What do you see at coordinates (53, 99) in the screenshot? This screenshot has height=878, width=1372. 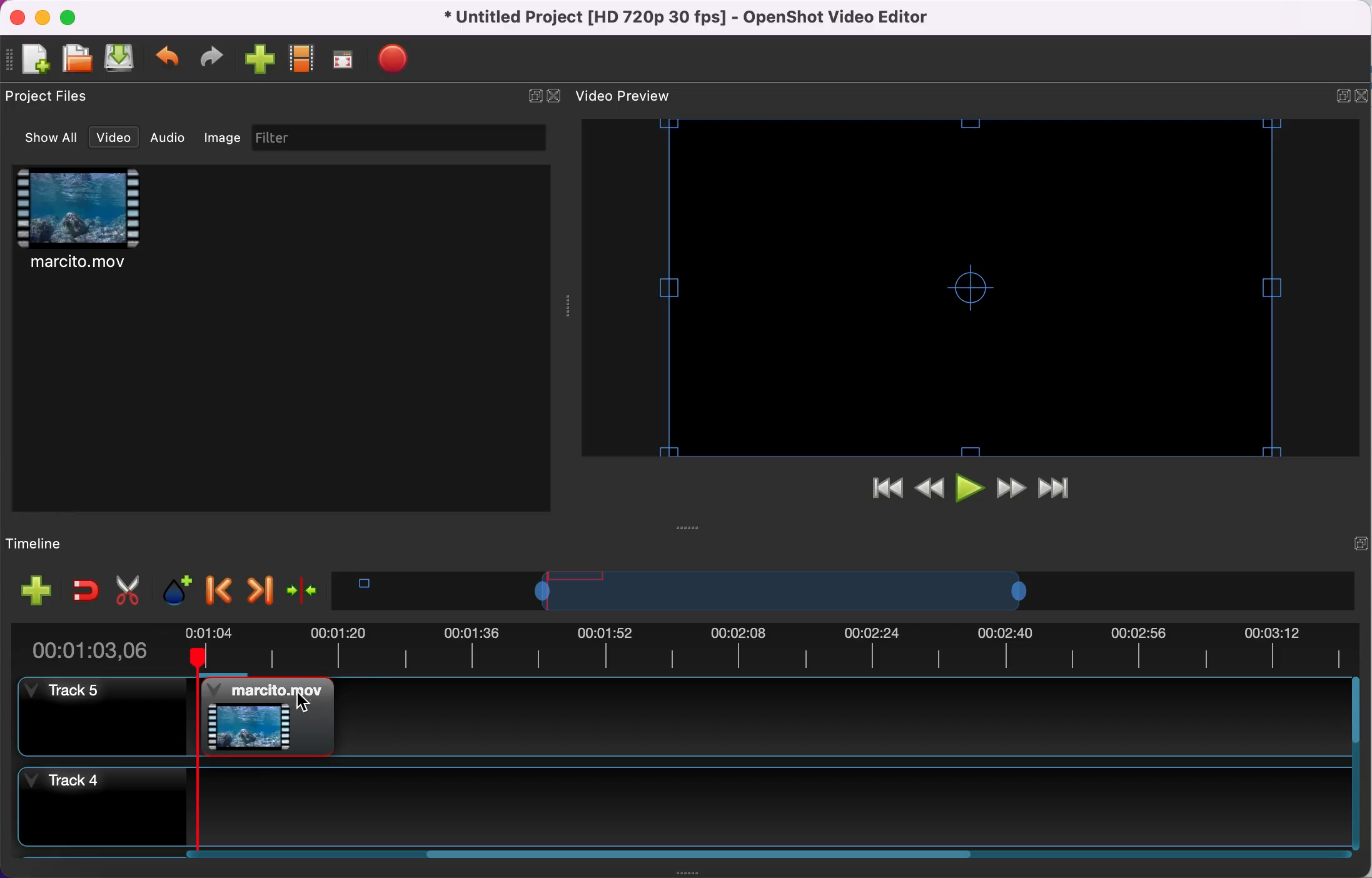 I see `project files` at bounding box center [53, 99].